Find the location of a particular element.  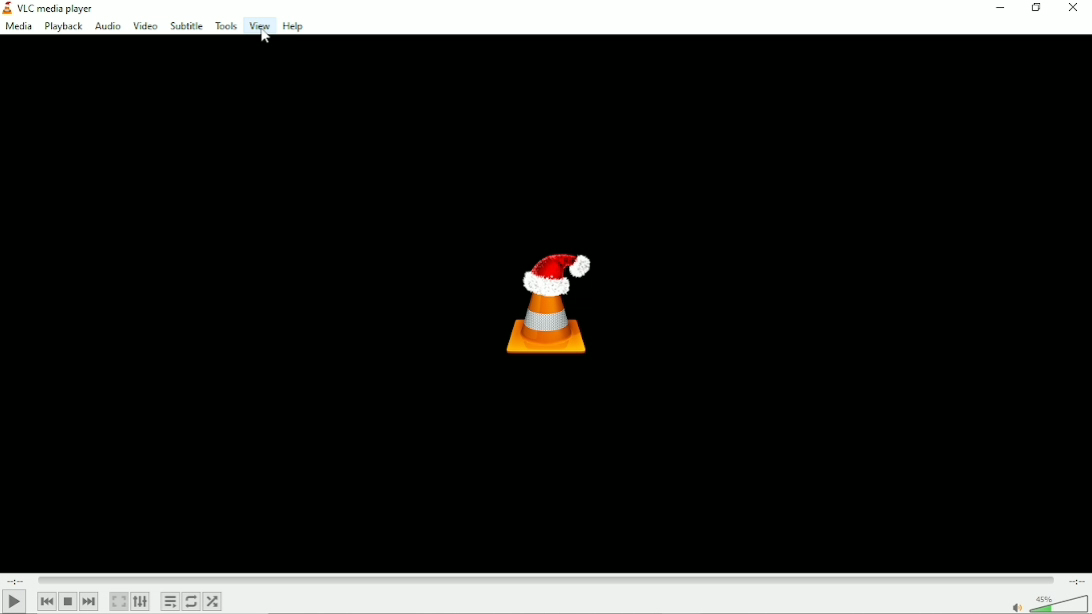

Playback is located at coordinates (61, 27).